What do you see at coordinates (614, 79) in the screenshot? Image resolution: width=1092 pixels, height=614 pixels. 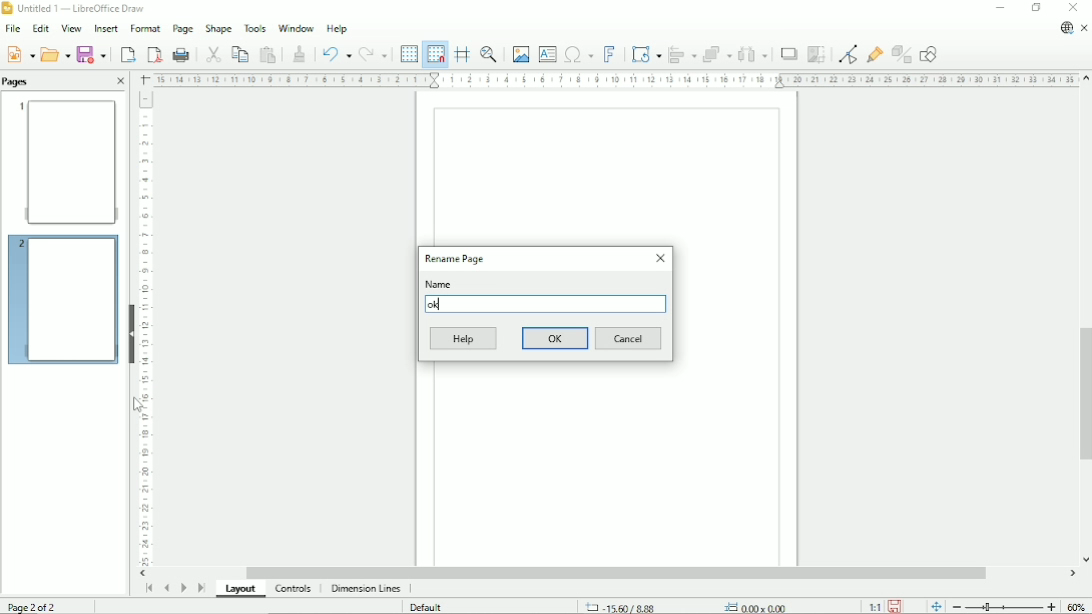 I see `Horizontal scale` at bounding box center [614, 79].